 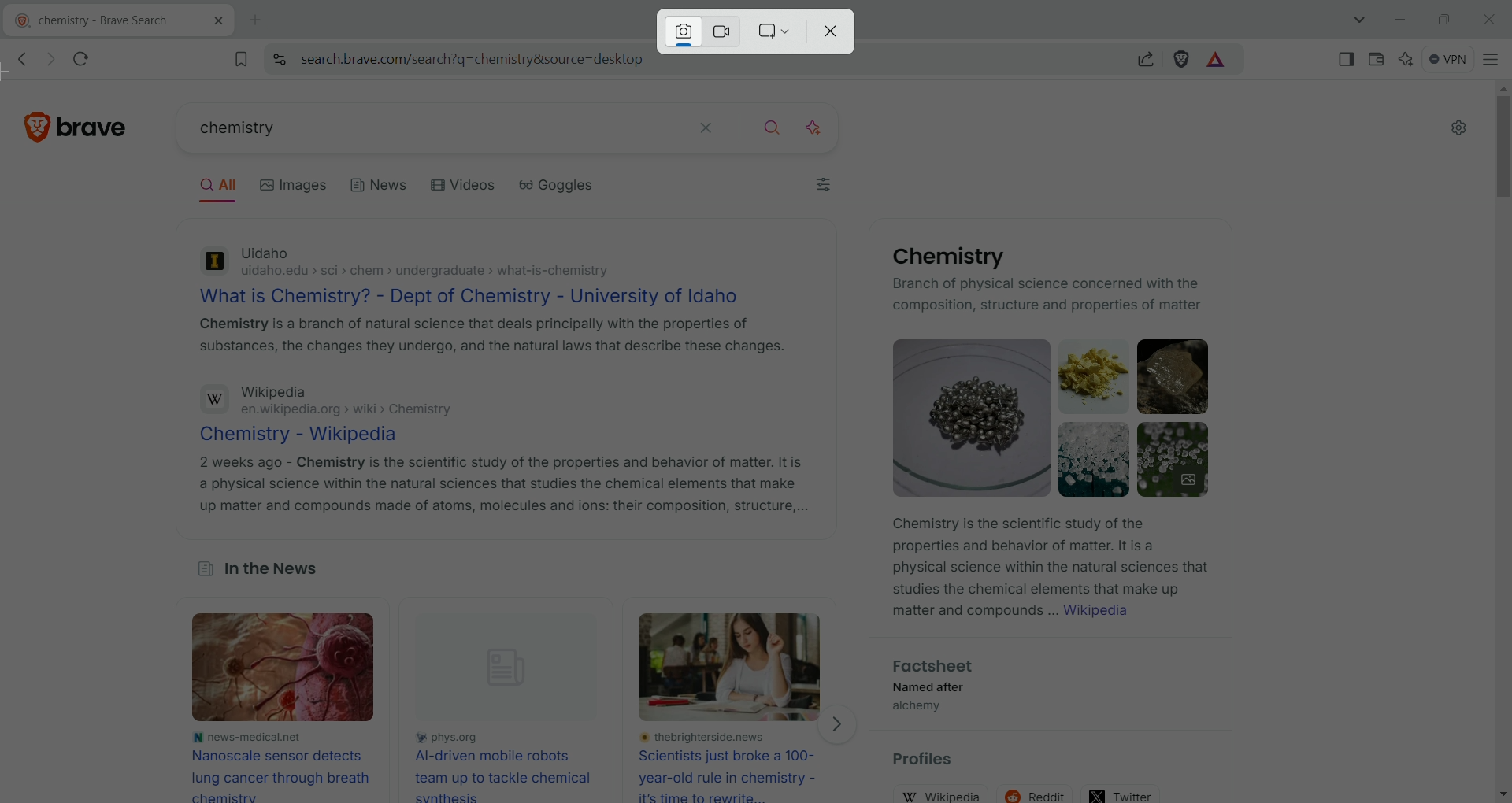 What do you see at coordinates (280, 765) in the screenshot?
I see `News-medical.net Nanoscale sensor detects lung cancer through breath chemistry` at bounding box center [280, 765].